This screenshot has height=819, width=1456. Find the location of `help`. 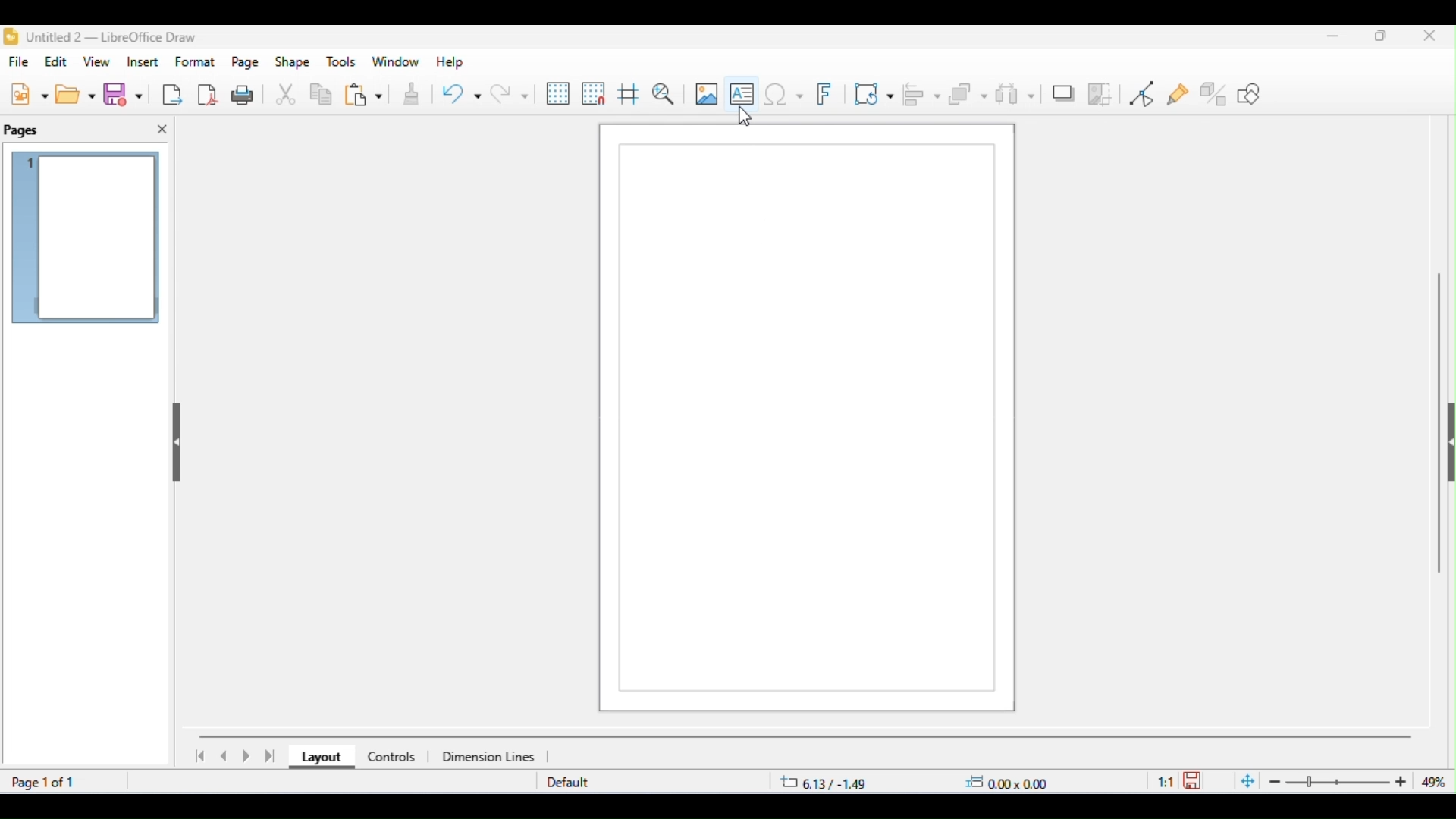

help is located at coordinates (447, 62).